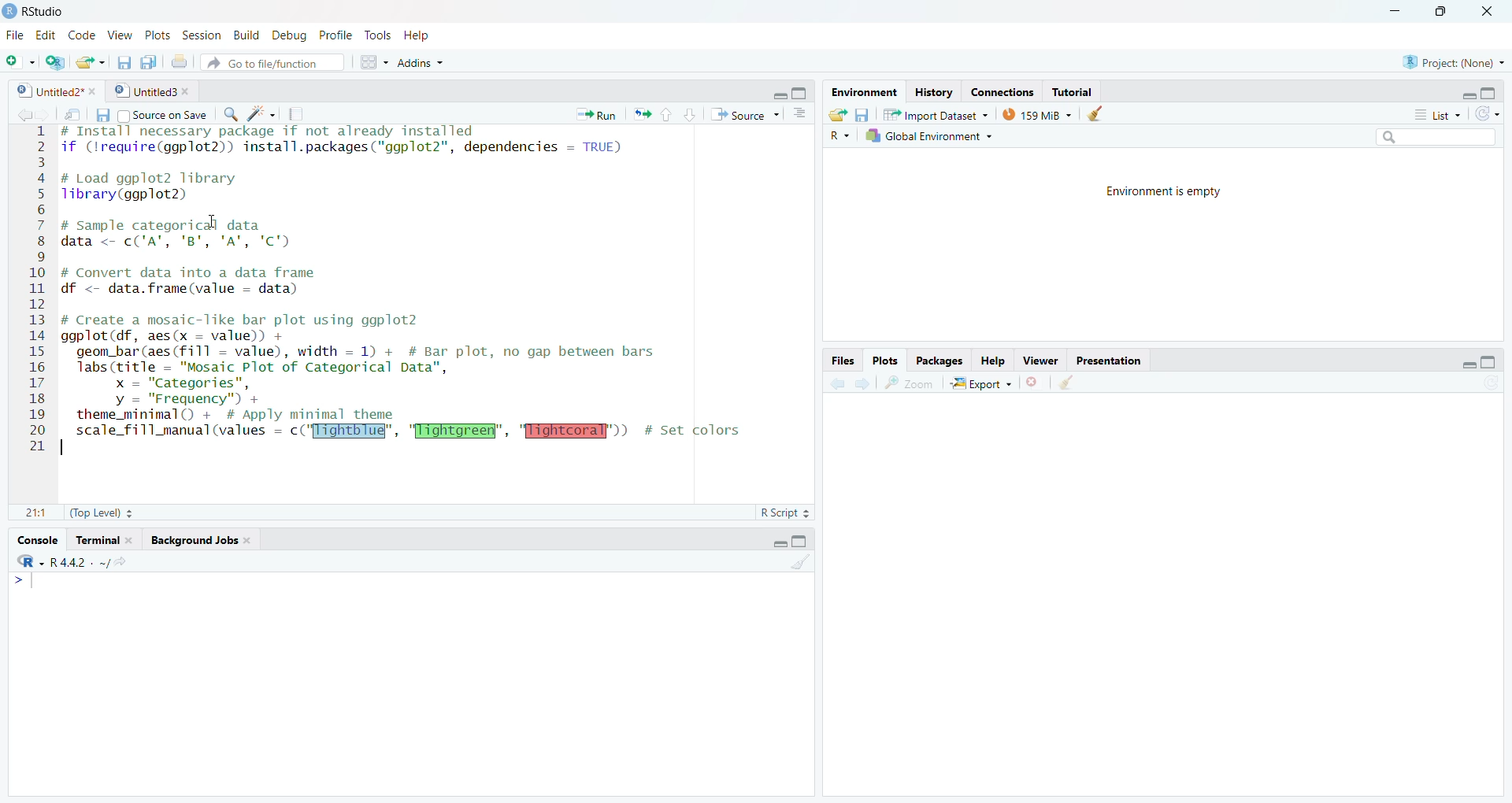  What do you see at coordinates (78, 564) in the screenshot?
I see `R 4.2.2 . ~ /` at bounding box center [78, 564].